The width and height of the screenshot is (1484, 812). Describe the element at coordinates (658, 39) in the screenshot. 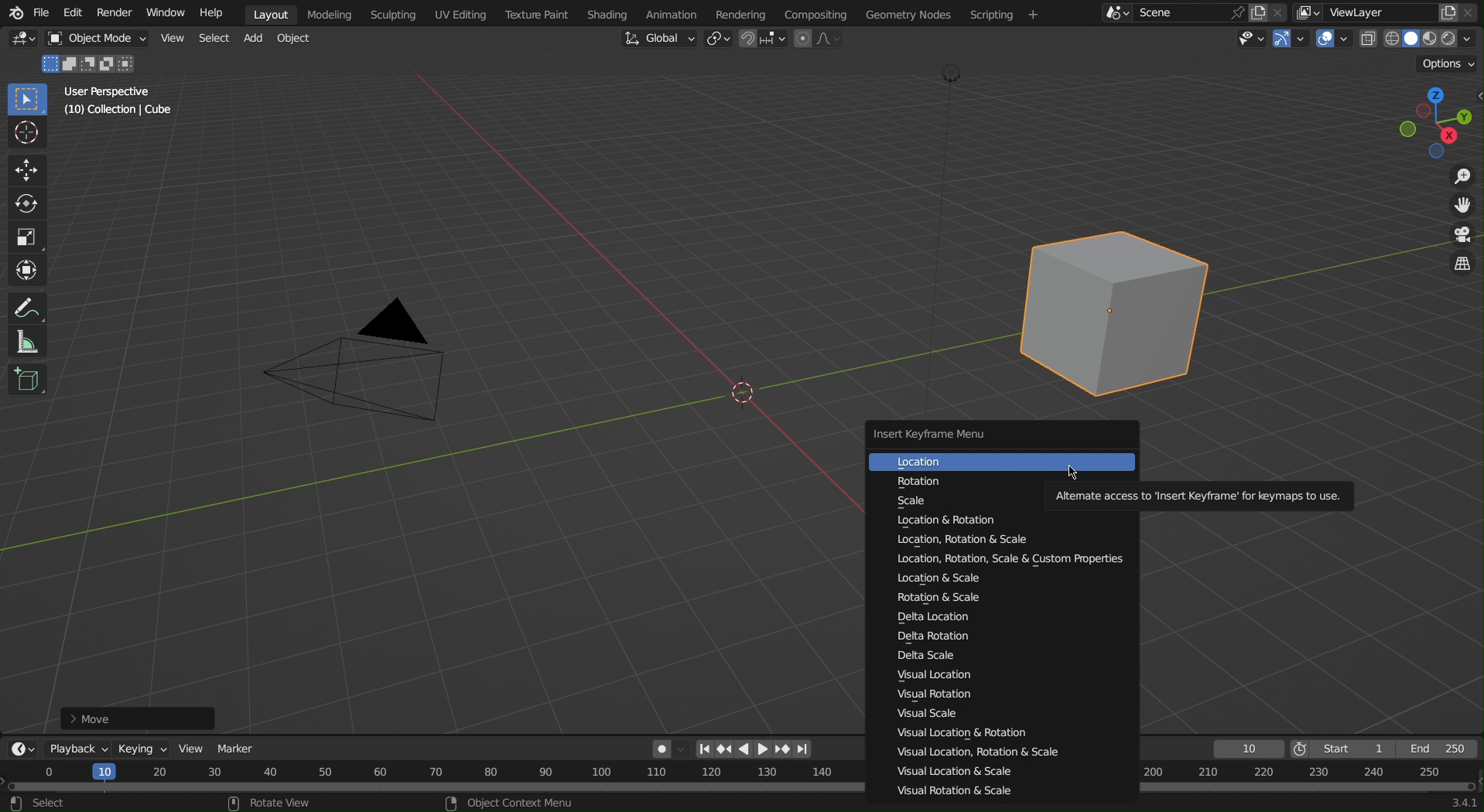

I see `Global` at that location.